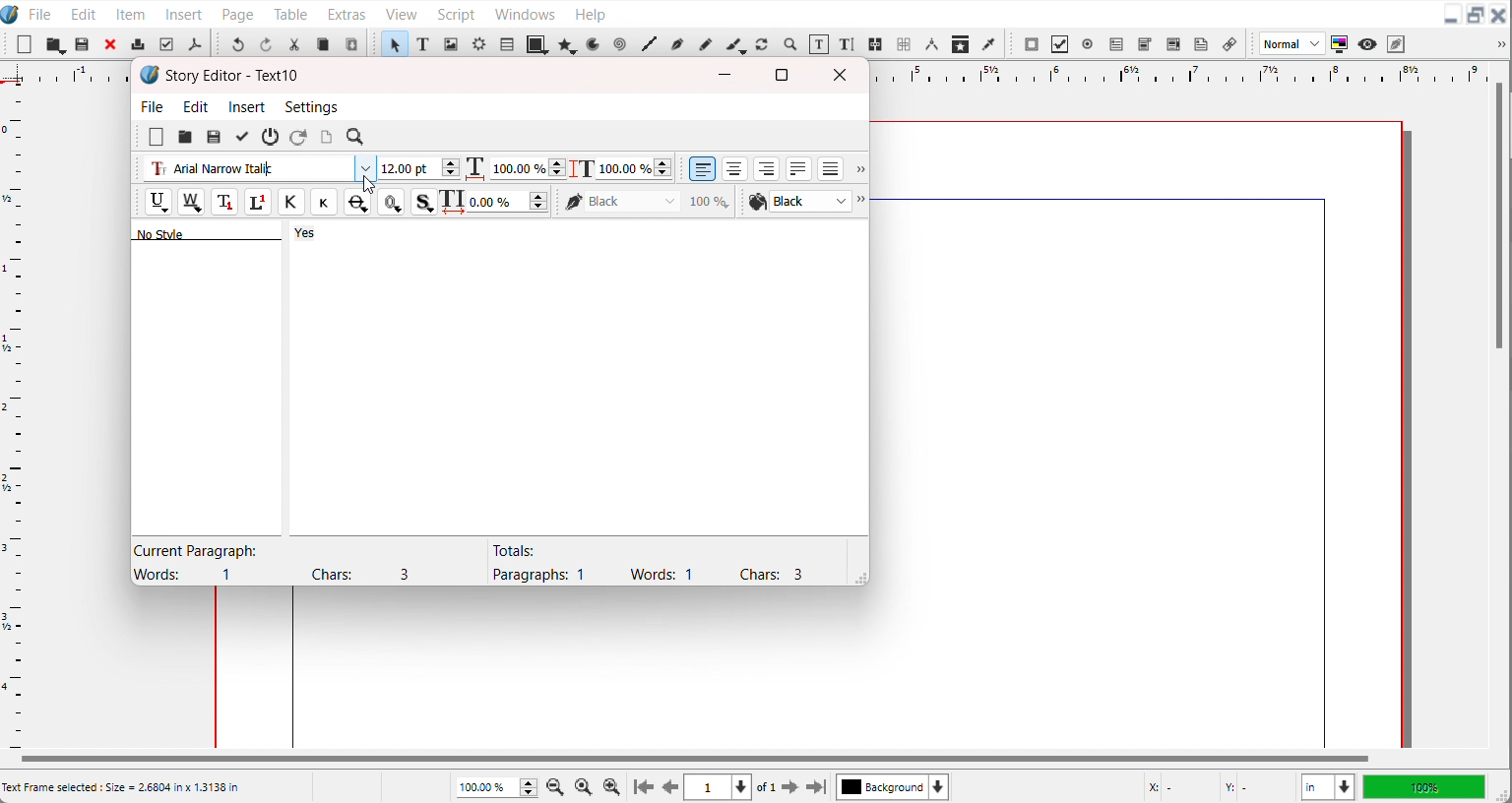 This screenshot has height=803, width=1512. What do you see at coordinates (84, 45) in the screenshot?
I see `Open` at bounding box center [84, 45].